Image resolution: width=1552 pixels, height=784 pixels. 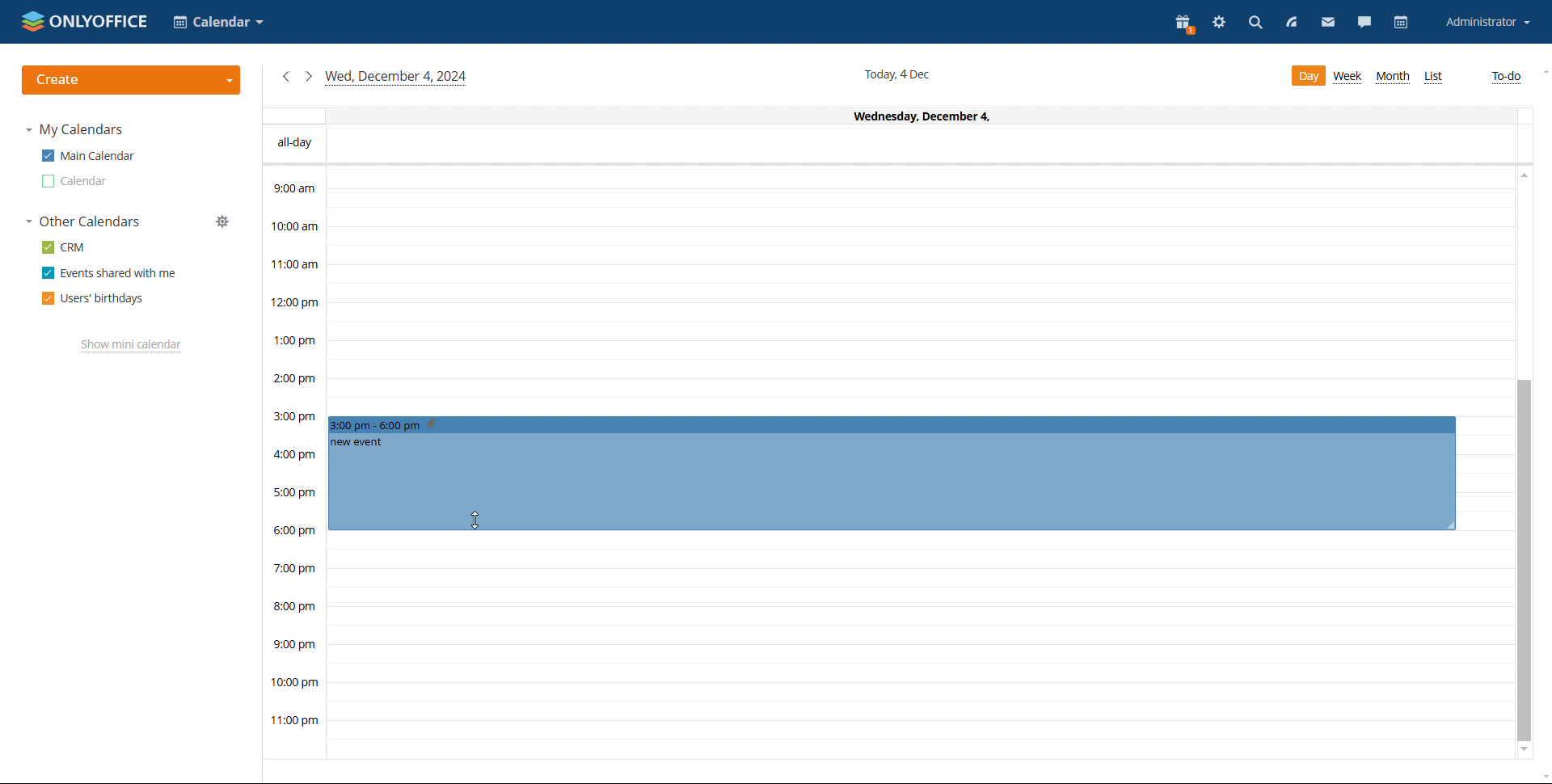 I want to click on manage, so click(x=222, y=221).